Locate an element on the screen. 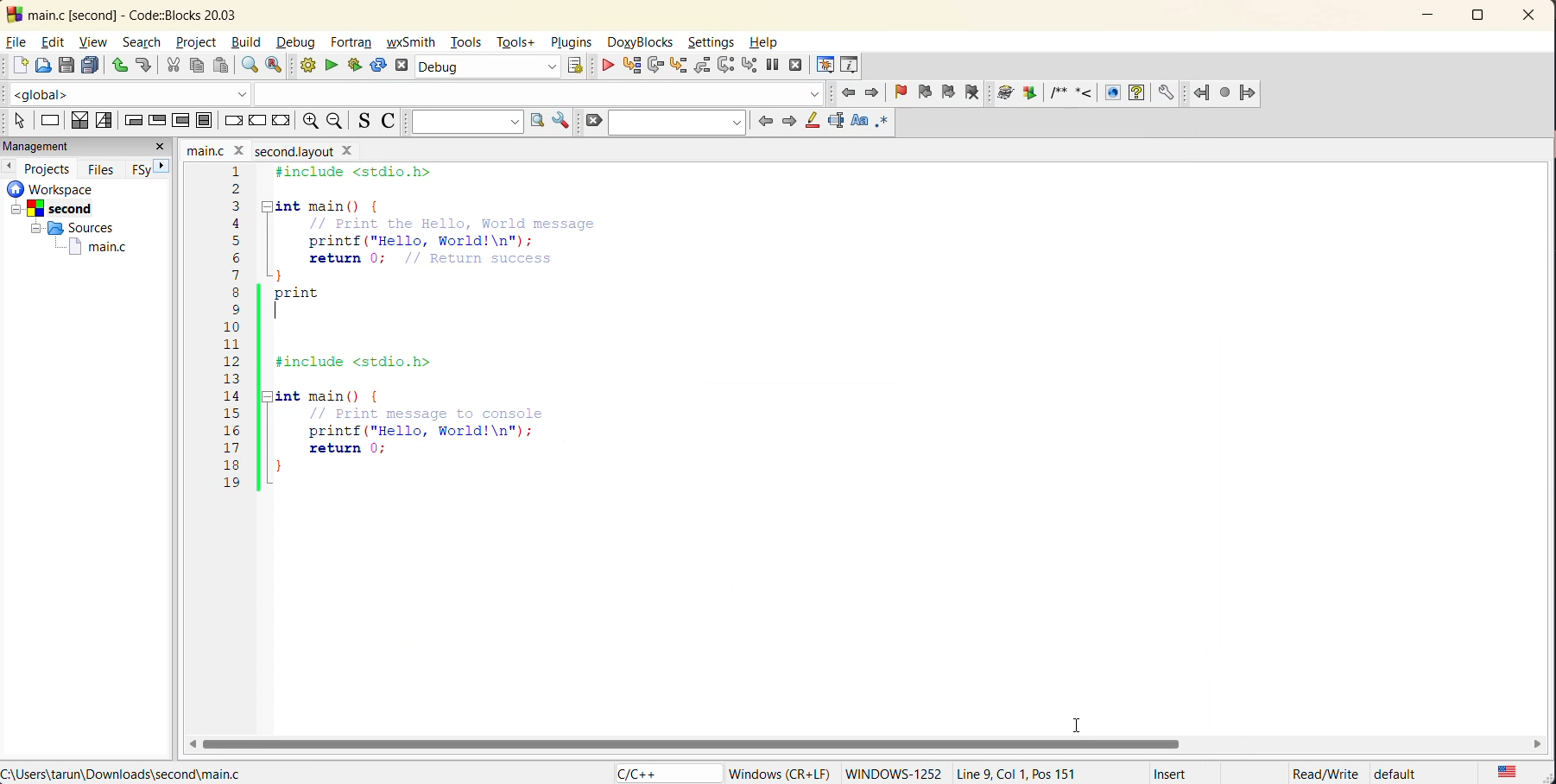  toggle bookmark is located at coordinates (902, 93).